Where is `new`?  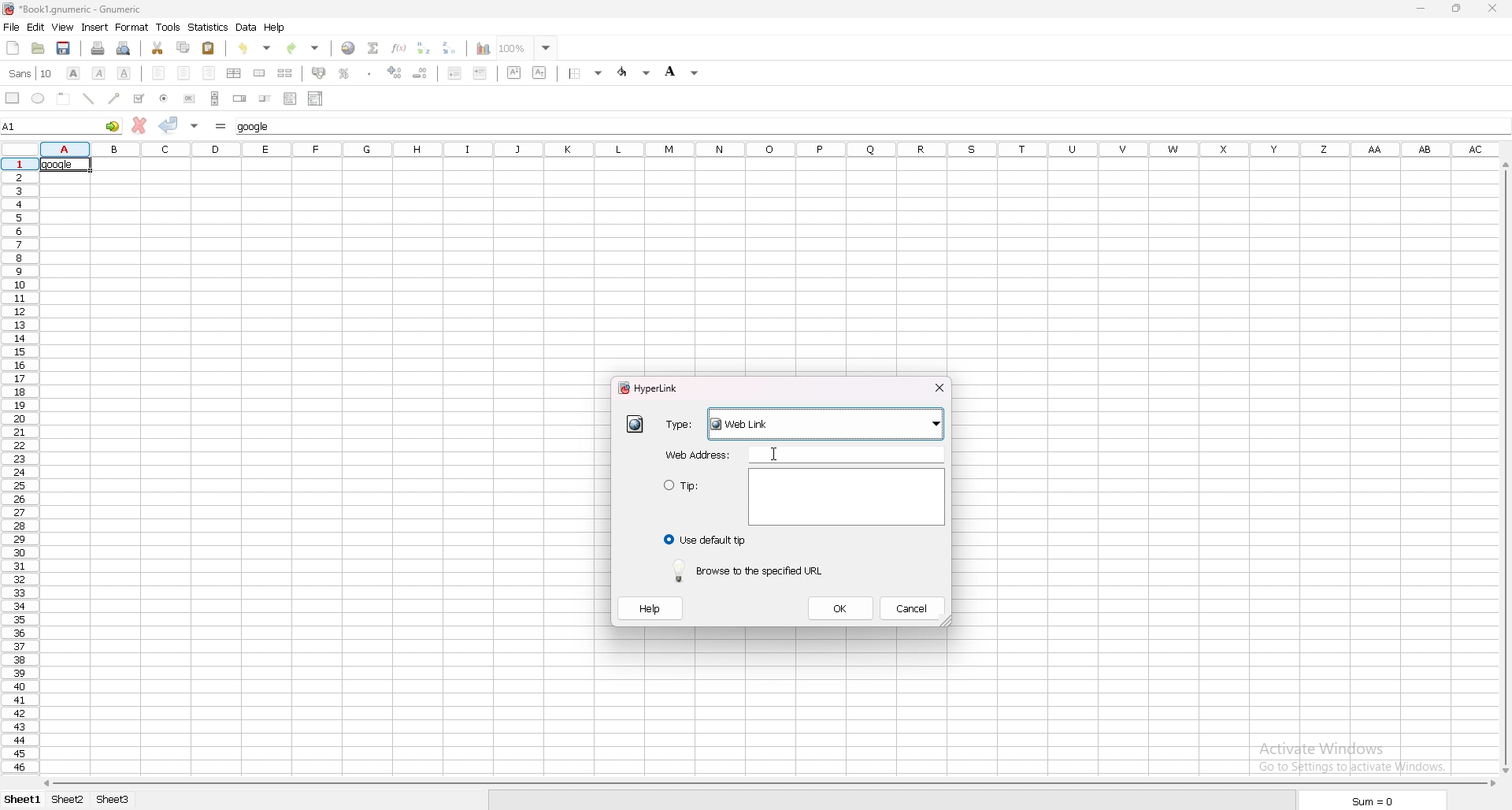 new is located at coordinates (13, 48).